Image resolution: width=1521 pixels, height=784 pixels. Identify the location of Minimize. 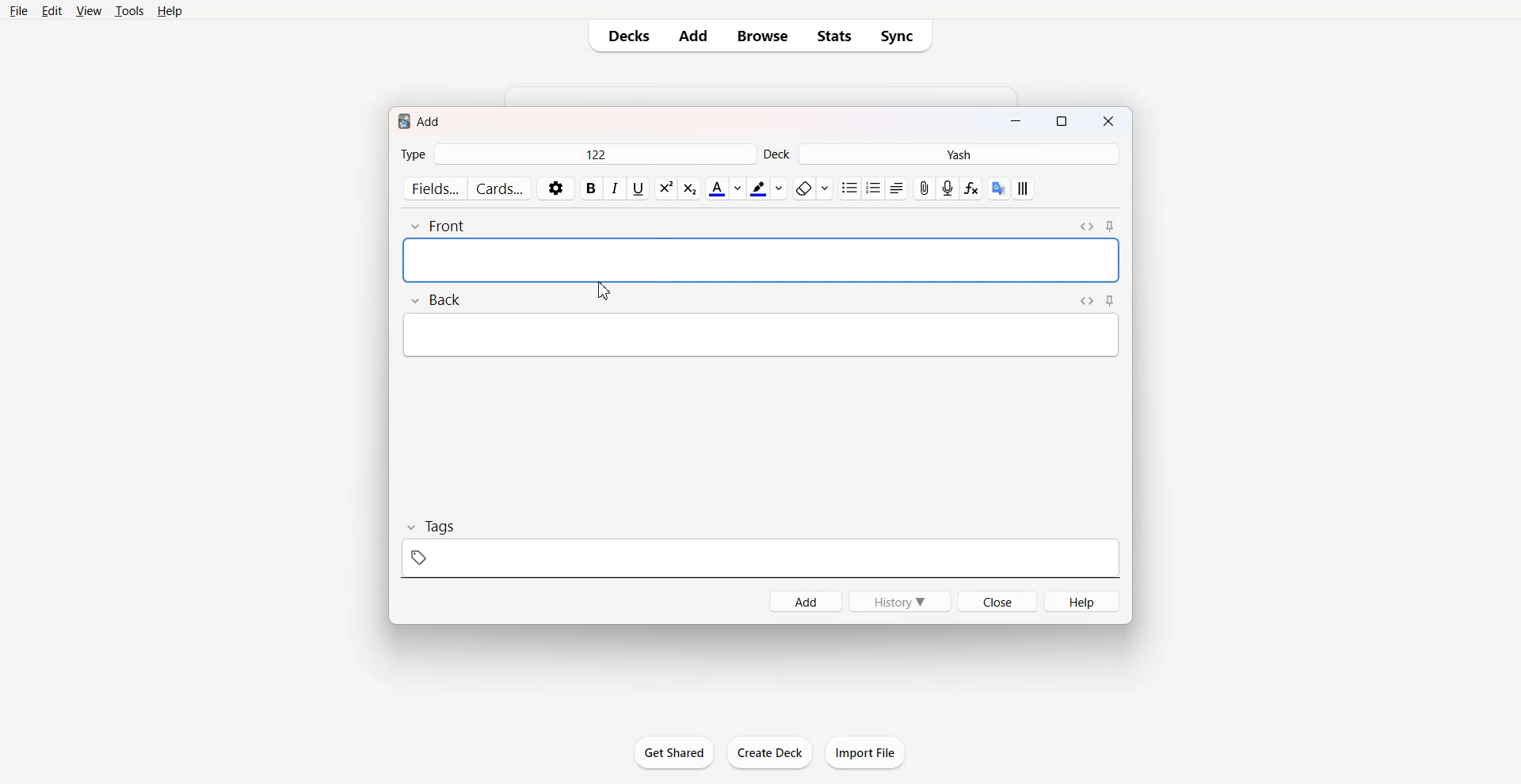
(1015, 123).